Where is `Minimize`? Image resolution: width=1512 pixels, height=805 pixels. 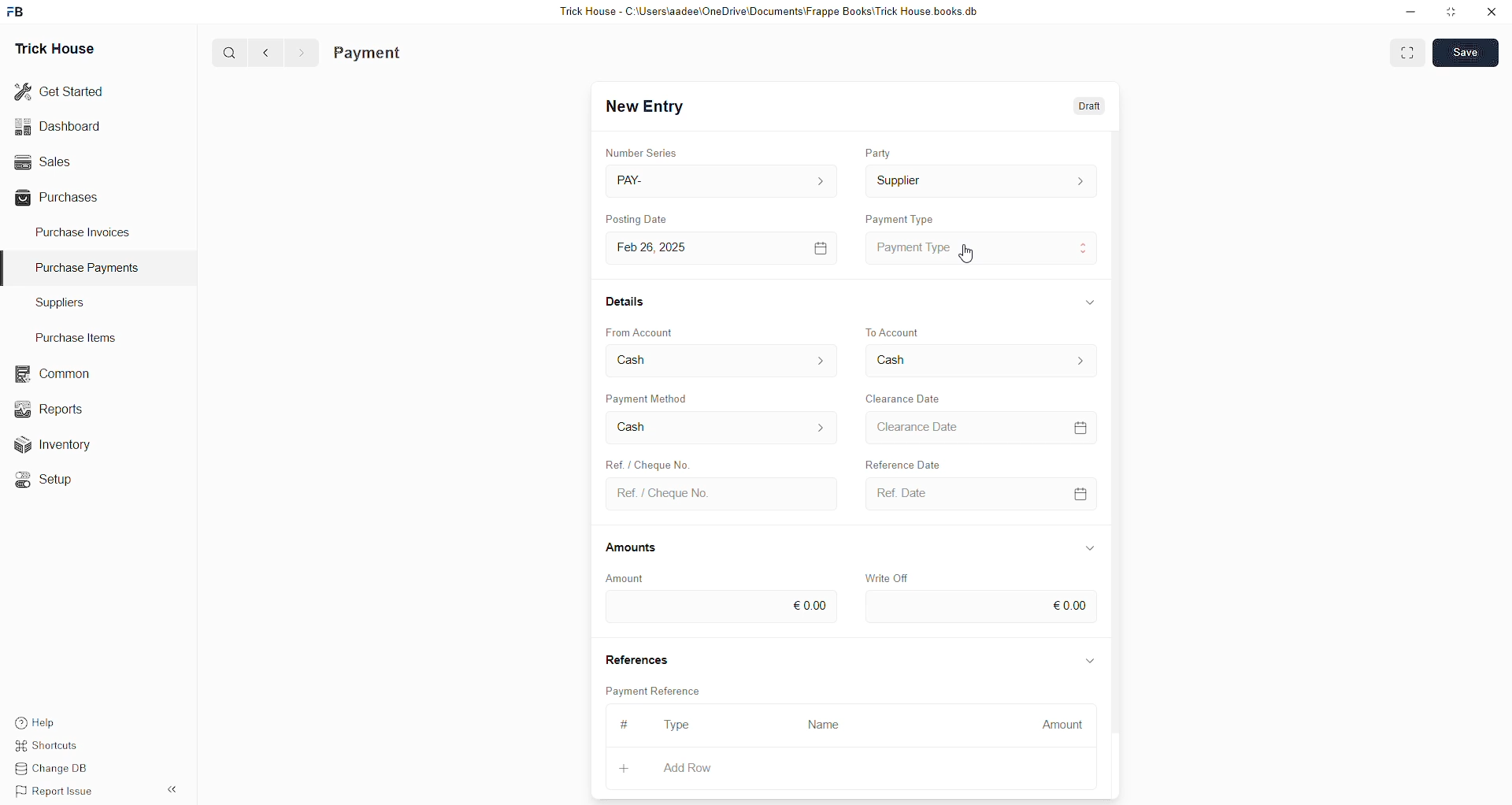 Minimize is located at coordinates (1410, 13).